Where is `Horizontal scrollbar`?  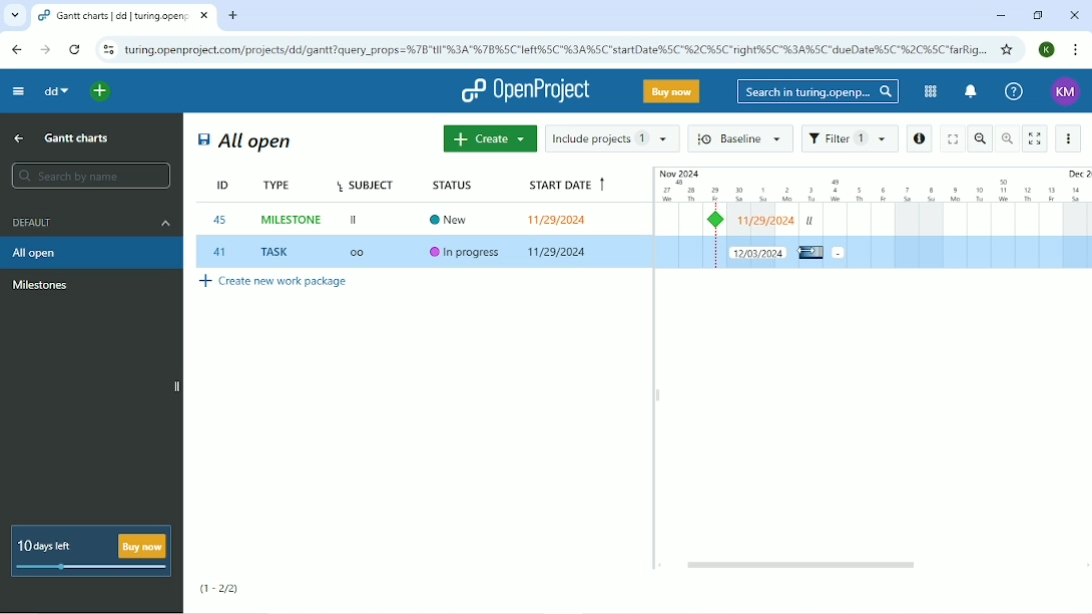
Horizontal scrollbar is located at coordinates (804, 565).